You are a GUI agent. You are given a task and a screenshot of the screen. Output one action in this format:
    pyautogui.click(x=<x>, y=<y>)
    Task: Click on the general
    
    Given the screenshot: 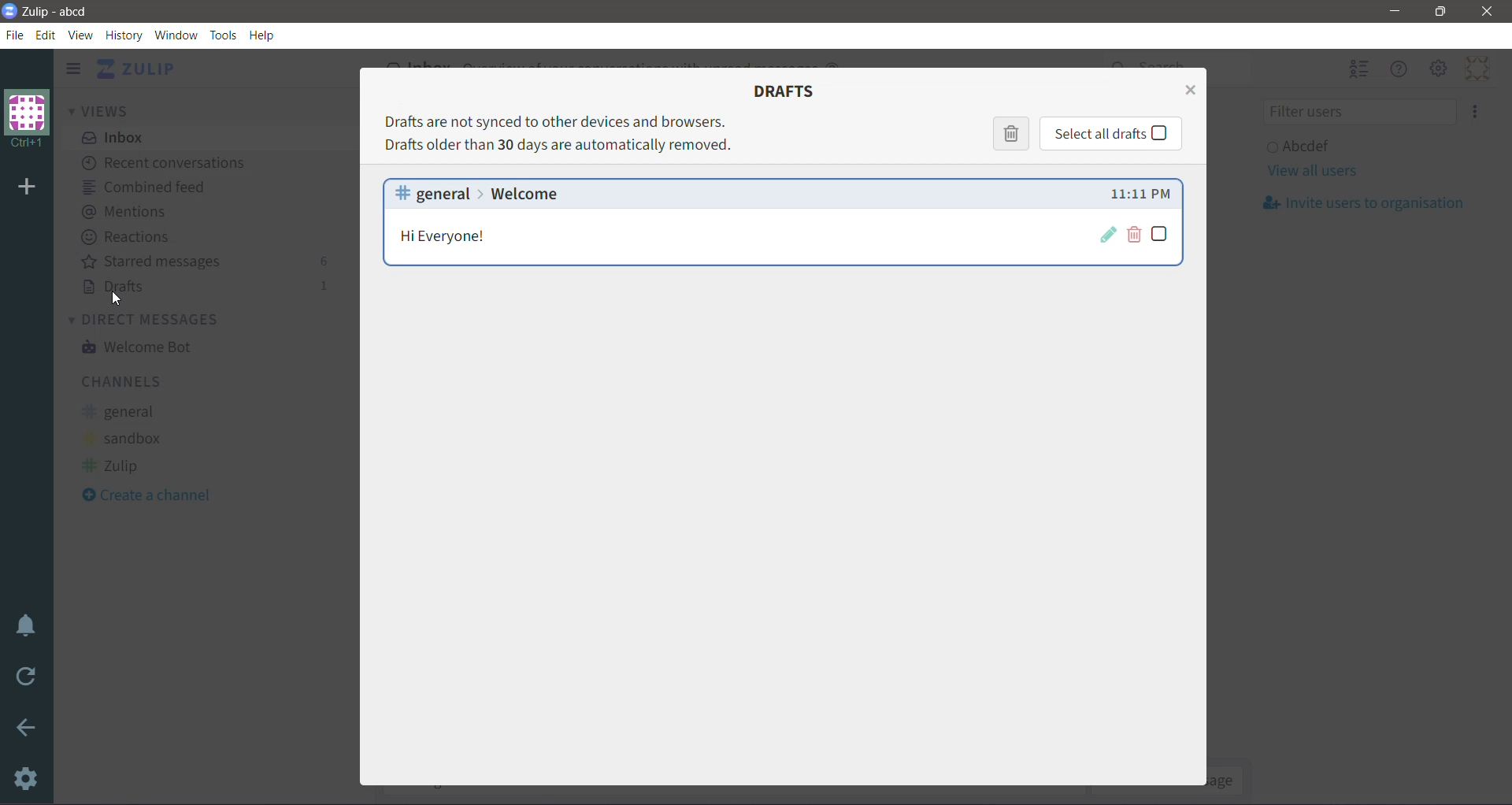 What is the action you would take?
    pyautogui.click(x=124, y=412)
    